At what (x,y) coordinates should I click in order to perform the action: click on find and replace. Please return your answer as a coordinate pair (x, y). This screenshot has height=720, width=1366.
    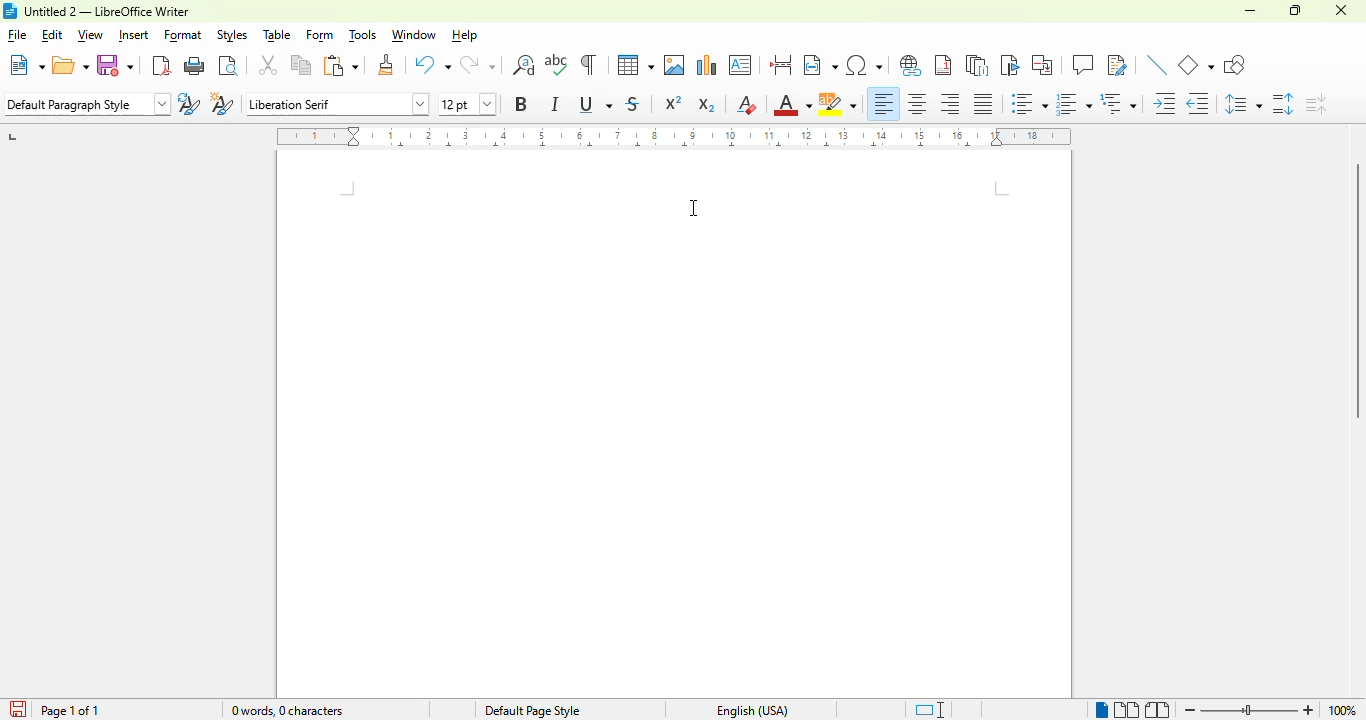
    Looking at the image, I should click on (524, 65).